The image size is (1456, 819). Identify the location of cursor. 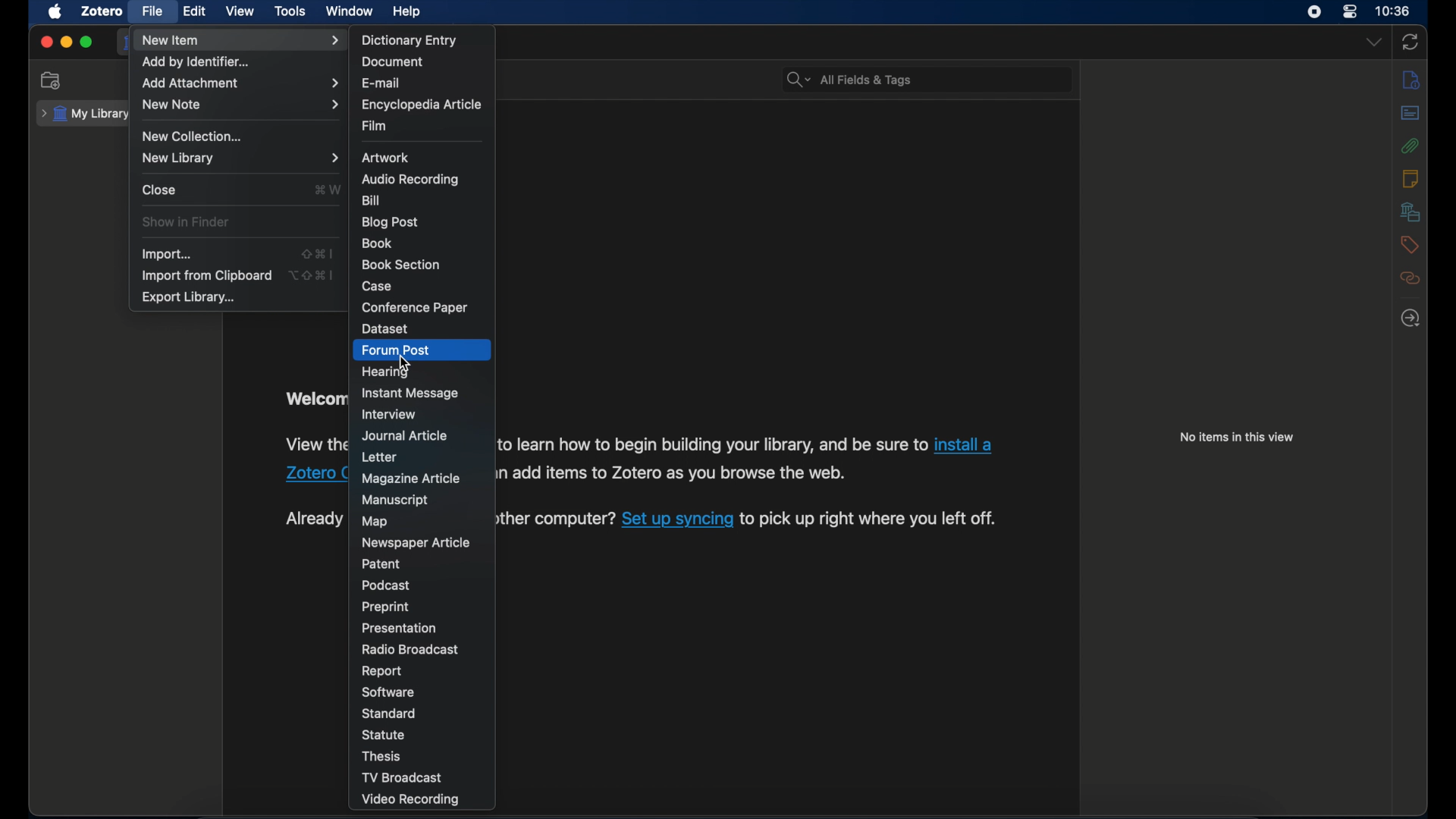
(404, 362).